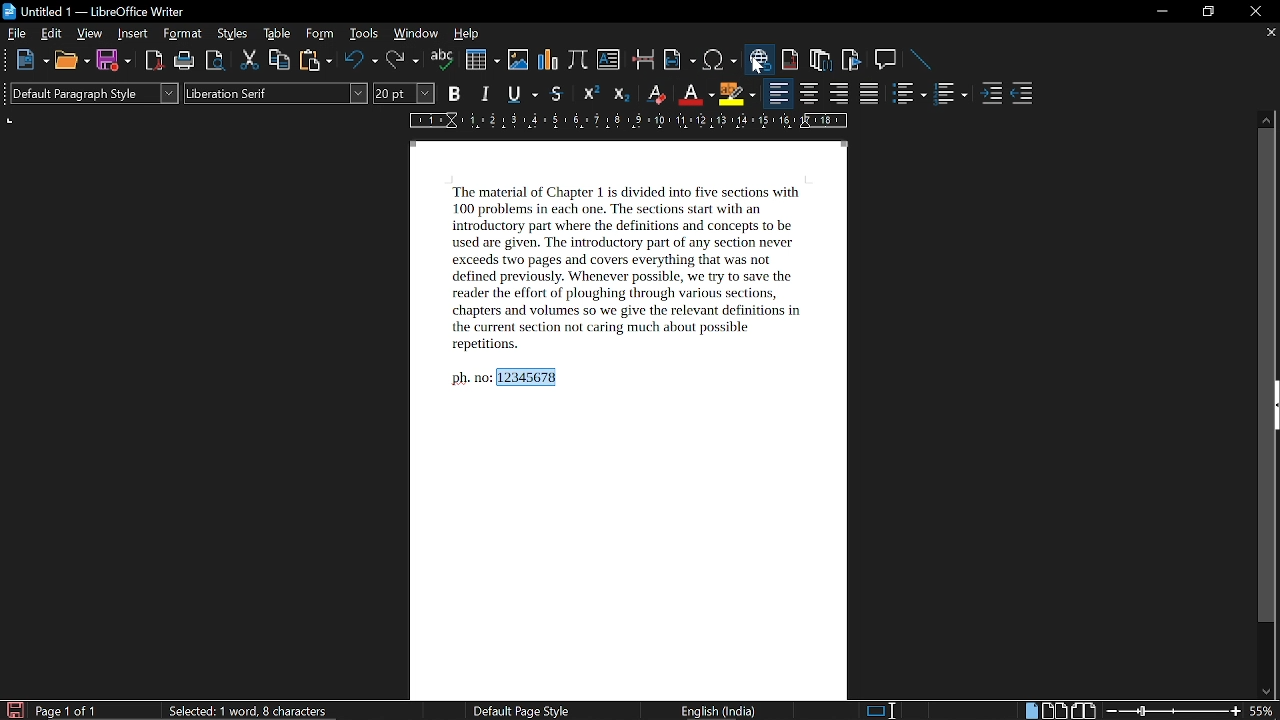 The height and width of the screenshot is (720, 1280). Describe the element at coordinates (521, 93) in the screenshot. I see `underline` at that location.